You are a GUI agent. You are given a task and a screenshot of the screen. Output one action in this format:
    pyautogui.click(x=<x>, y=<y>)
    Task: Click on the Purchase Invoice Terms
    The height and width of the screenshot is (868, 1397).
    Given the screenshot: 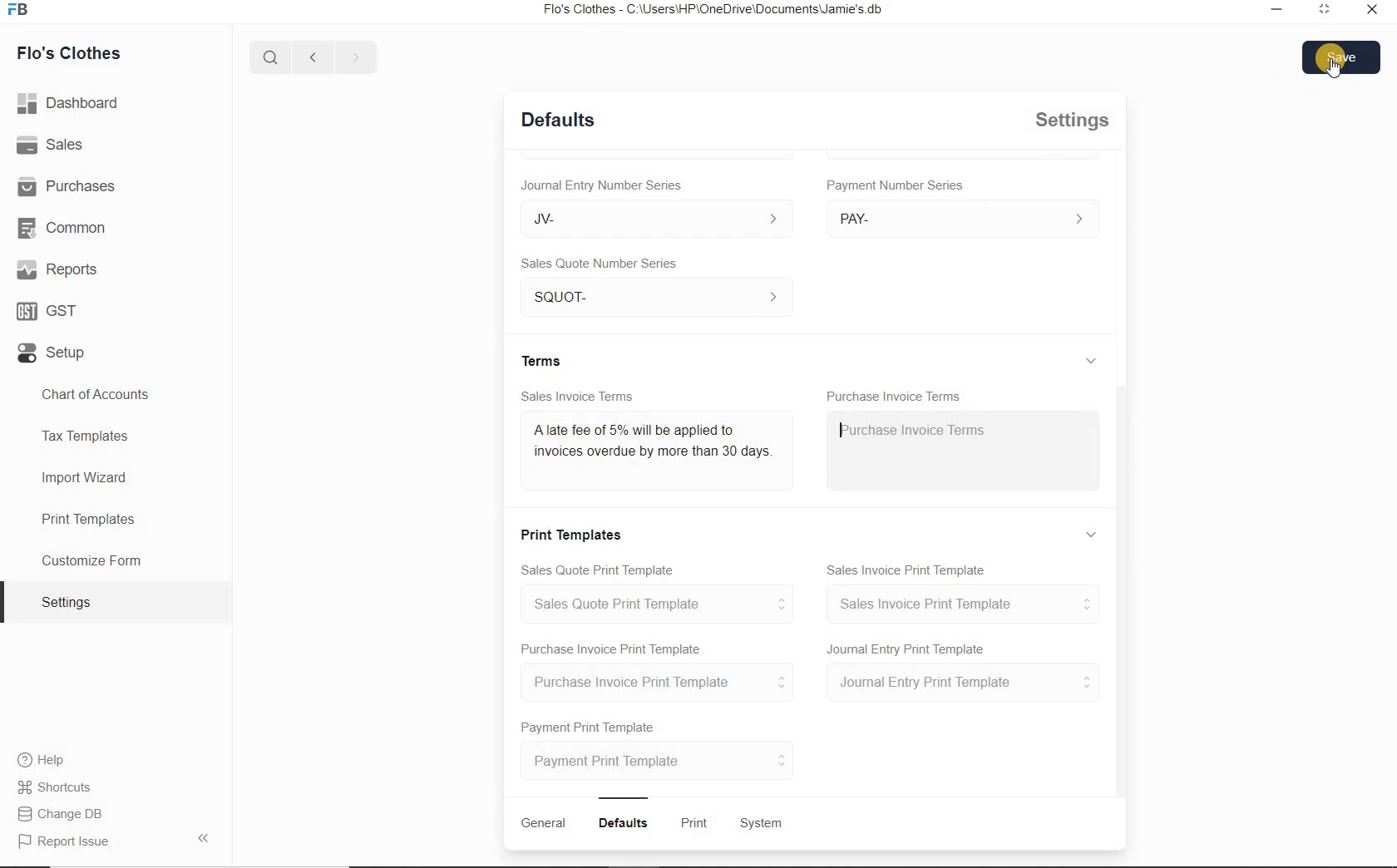 What is the action you would take?
    pyautogui.click(x=895, y=392)
    